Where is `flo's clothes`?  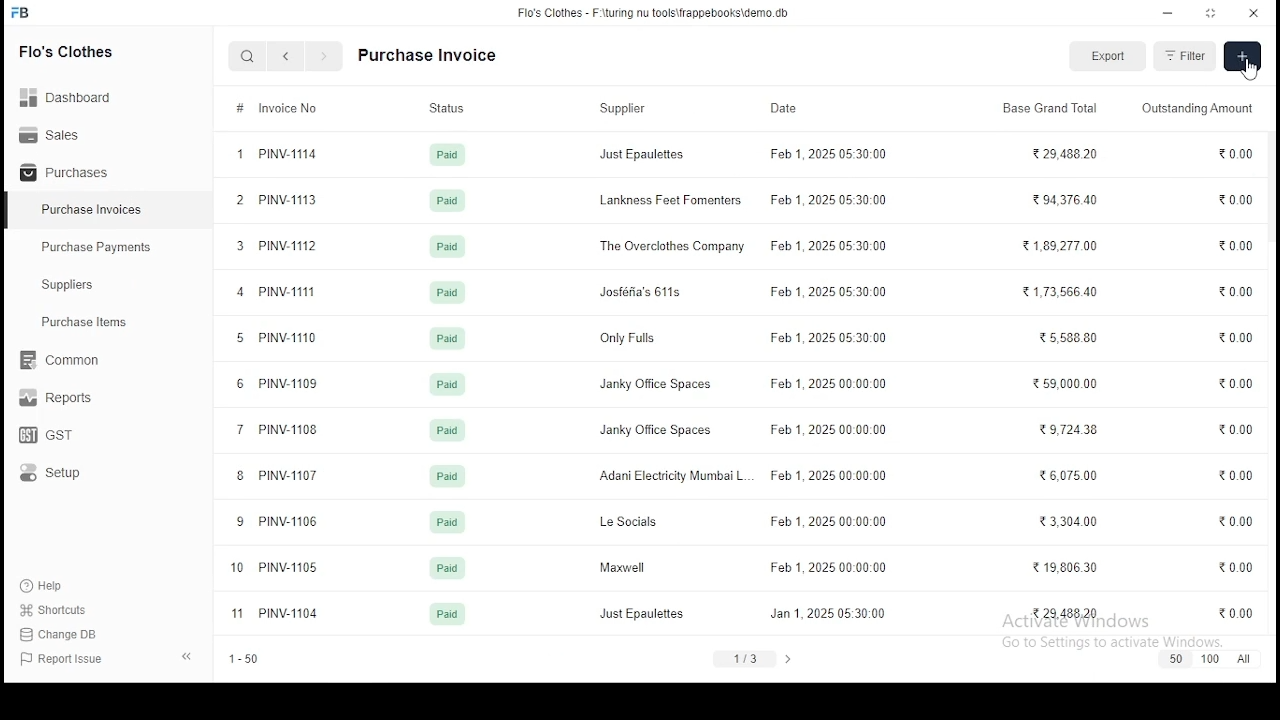
flo's clothes is located at coordinates (69, 51).